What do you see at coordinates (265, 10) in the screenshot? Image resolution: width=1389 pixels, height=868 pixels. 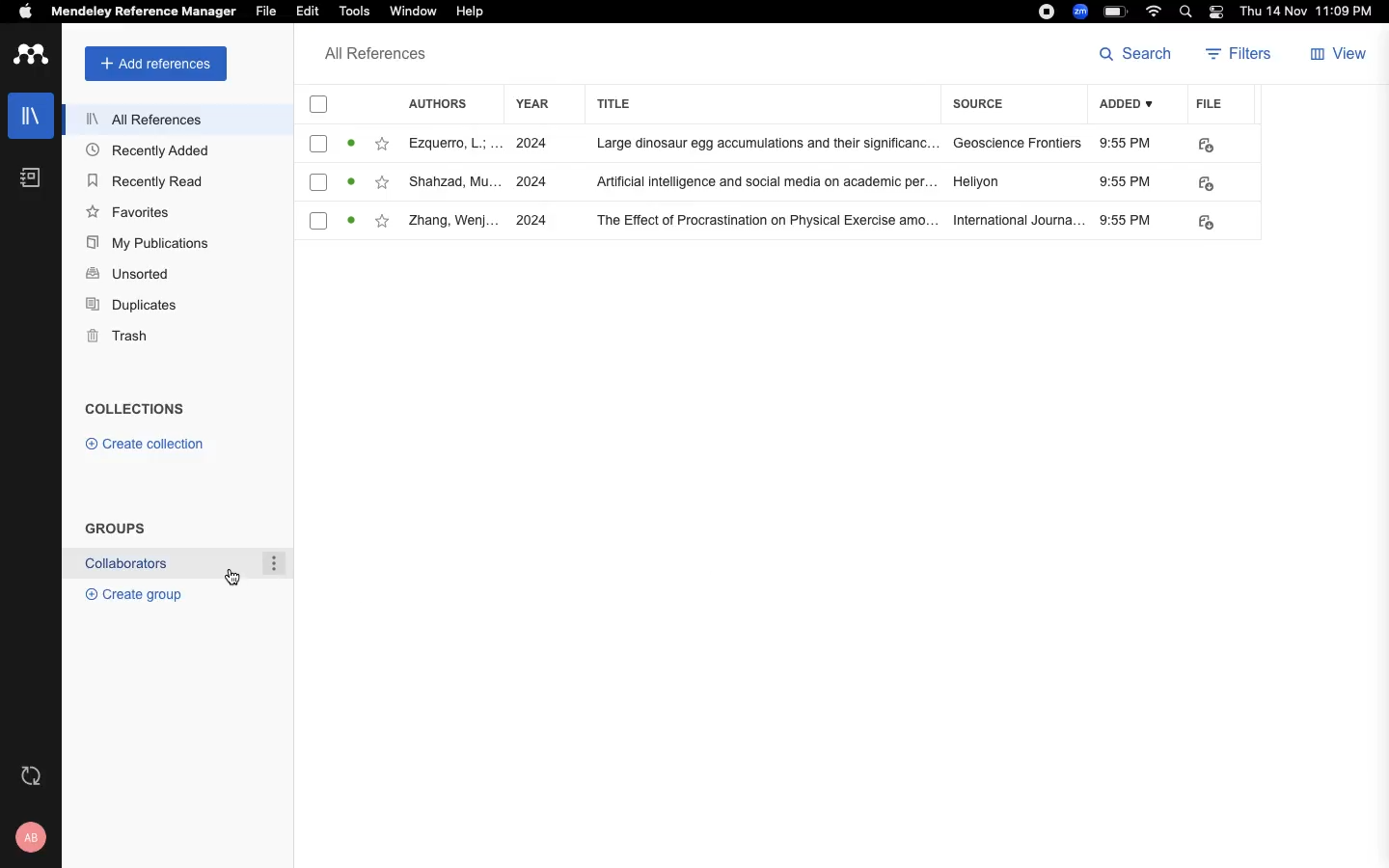 I see `File` at bounding box center [265, 10].